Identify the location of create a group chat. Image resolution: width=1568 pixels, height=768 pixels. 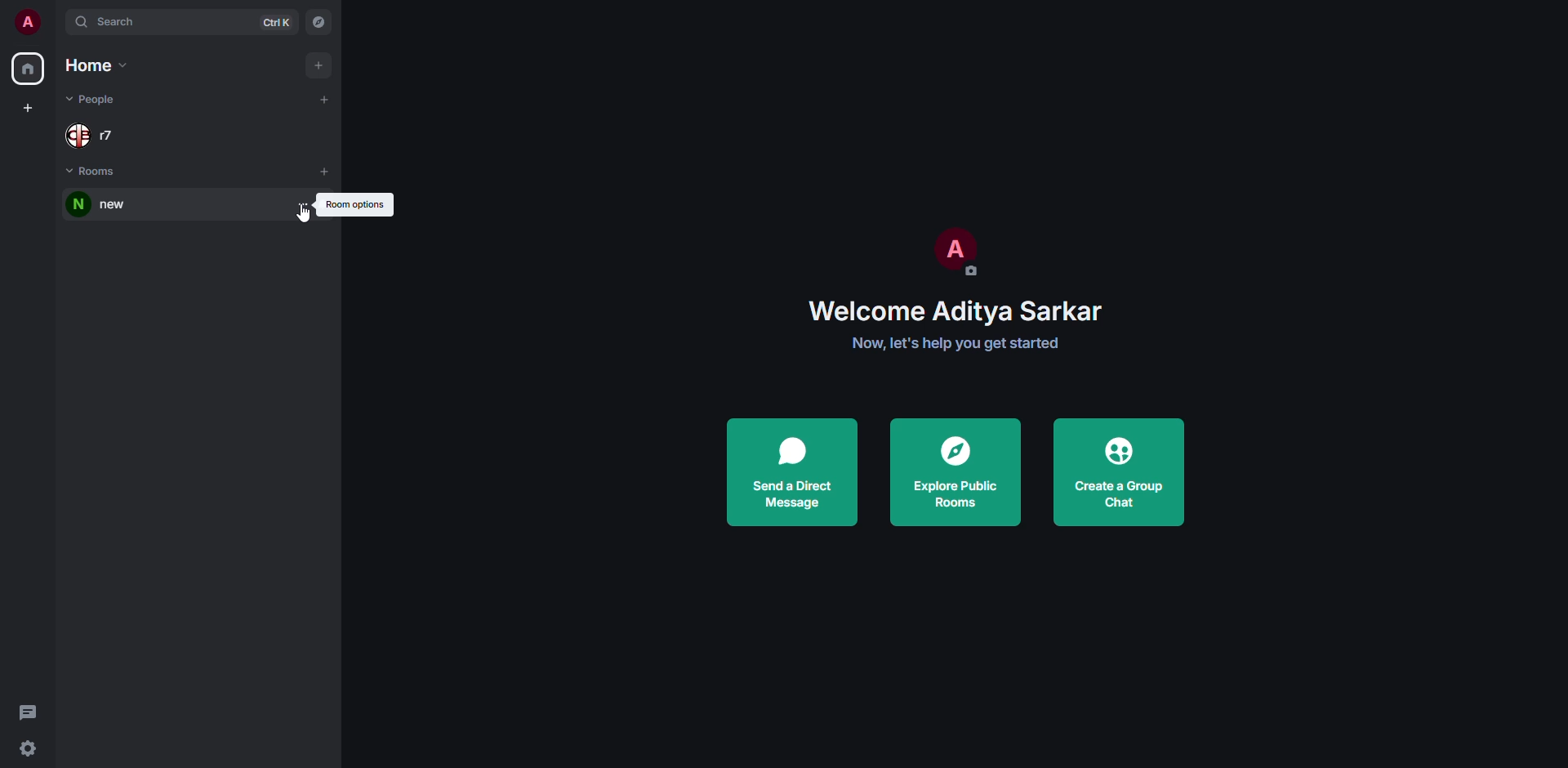
(1118, 471).